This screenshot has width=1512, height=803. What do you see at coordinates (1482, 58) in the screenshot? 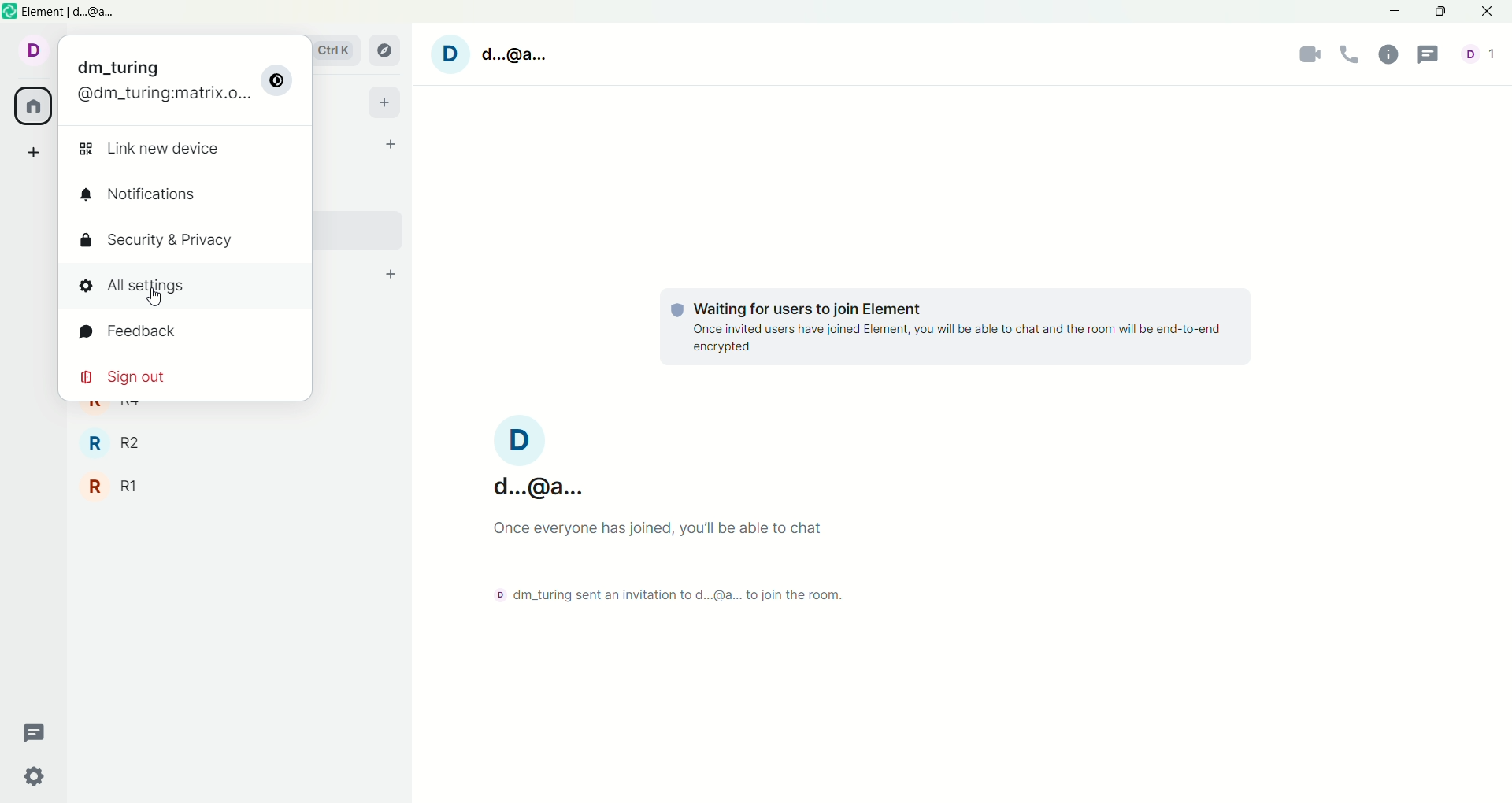
I see `people` at bounding box center [1482, 58].